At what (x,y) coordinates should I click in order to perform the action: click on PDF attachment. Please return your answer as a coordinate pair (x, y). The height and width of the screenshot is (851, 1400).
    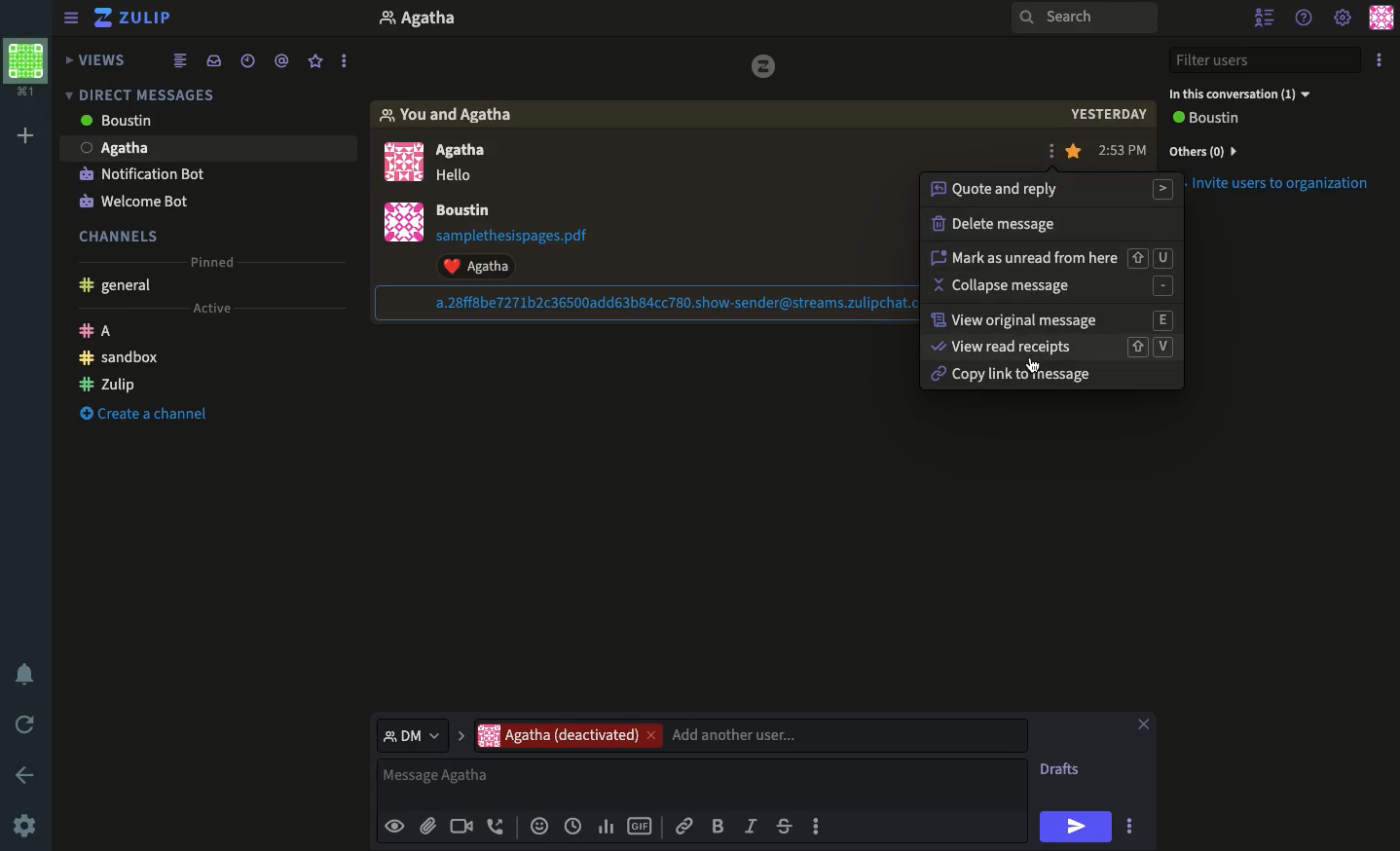
    Looking at the image, I should click on (531, 236).